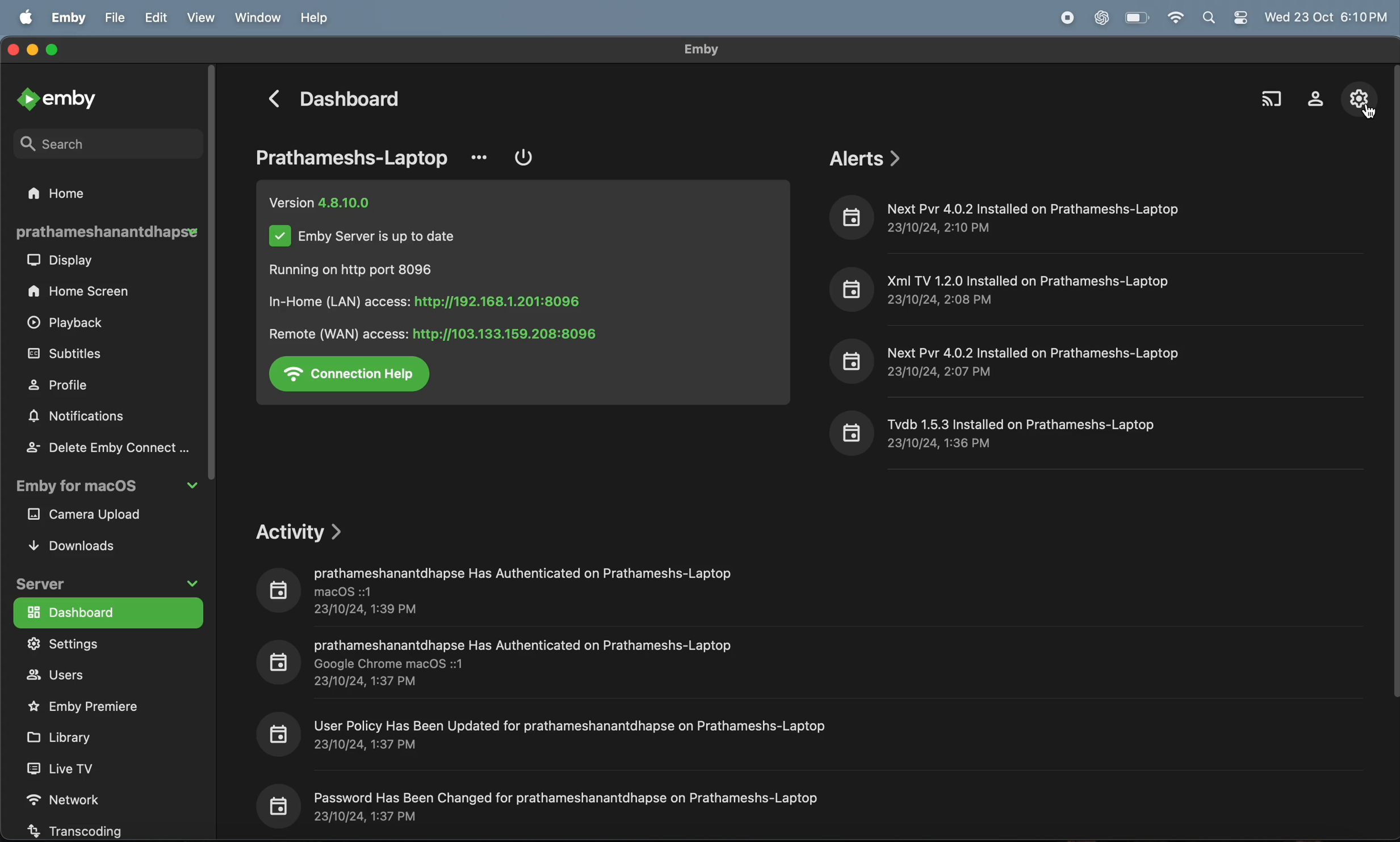 This screenshot has height=842, width=1400. I want to click on battery, so click(1136, 17).